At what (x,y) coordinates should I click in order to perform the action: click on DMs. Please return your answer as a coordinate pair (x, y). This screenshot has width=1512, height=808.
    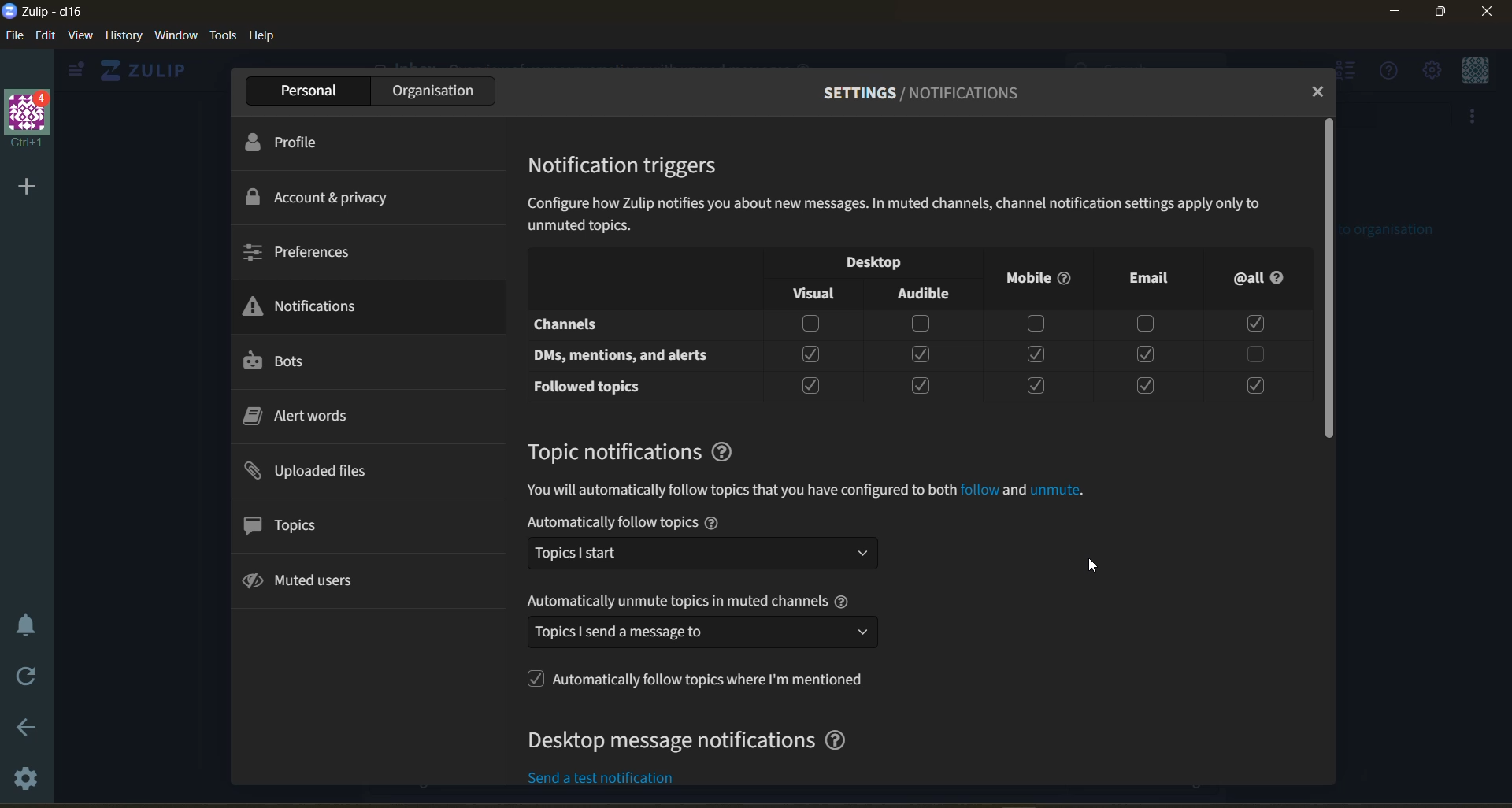
    Looking at the image, I should click on (624, 358).